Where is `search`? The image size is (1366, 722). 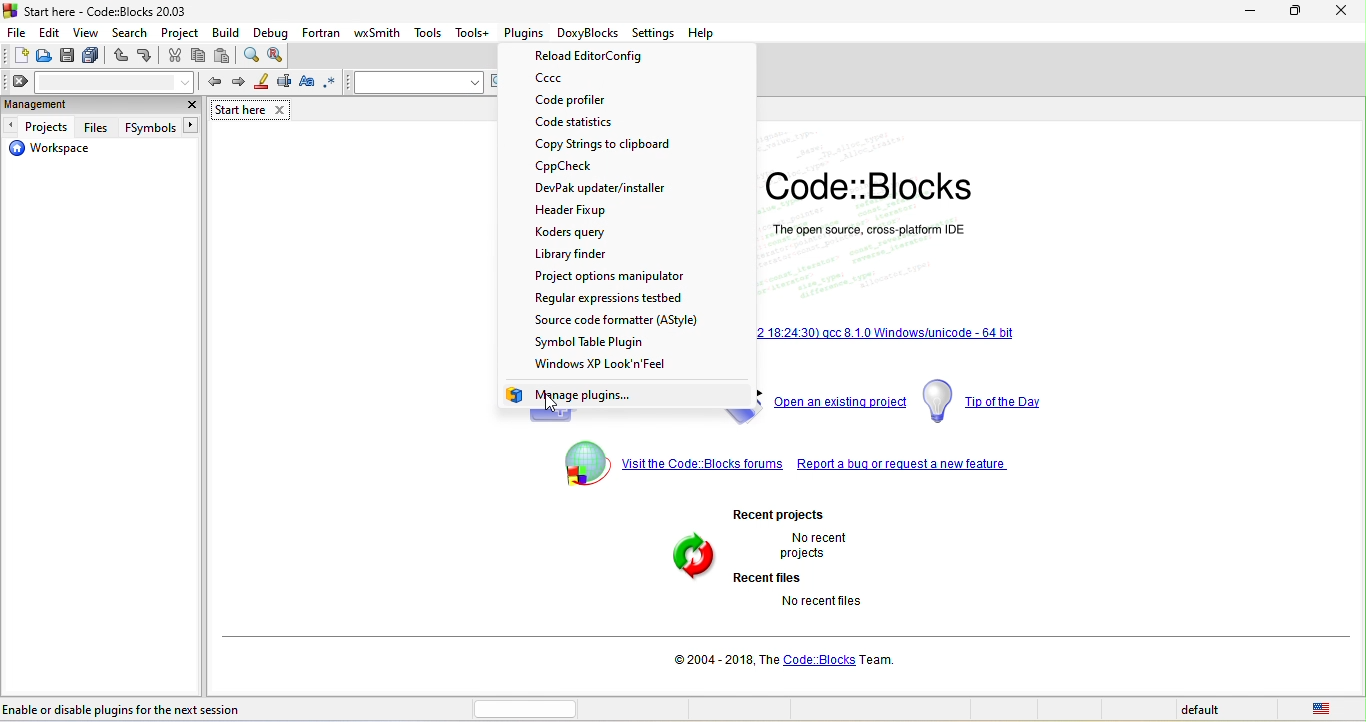
search is located at coordinates (127, 32).